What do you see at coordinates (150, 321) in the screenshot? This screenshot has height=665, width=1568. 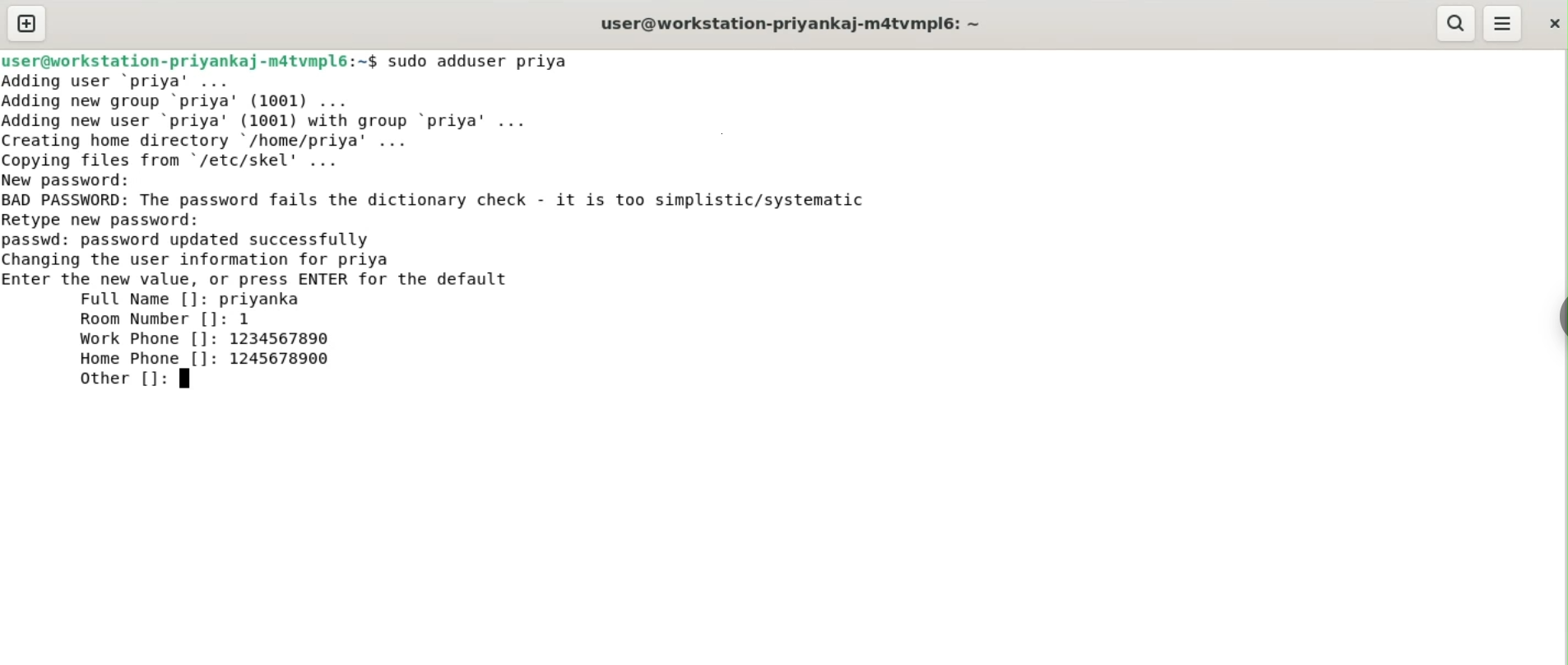 I see `room number []:` at bounding box center [150, 321].